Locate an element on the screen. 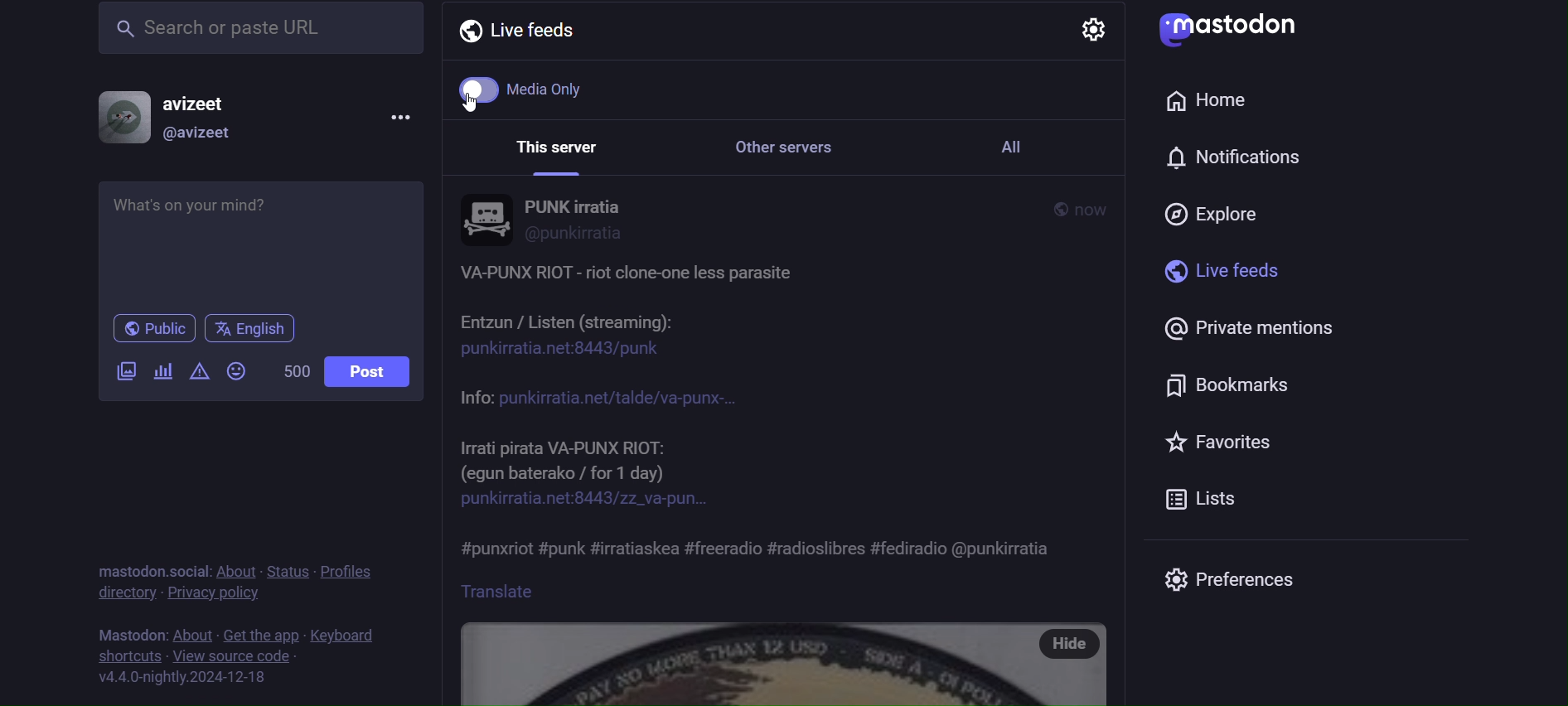 This screenshot has width=1568, height=706. @avizeet is located at coordinates (203, 134).